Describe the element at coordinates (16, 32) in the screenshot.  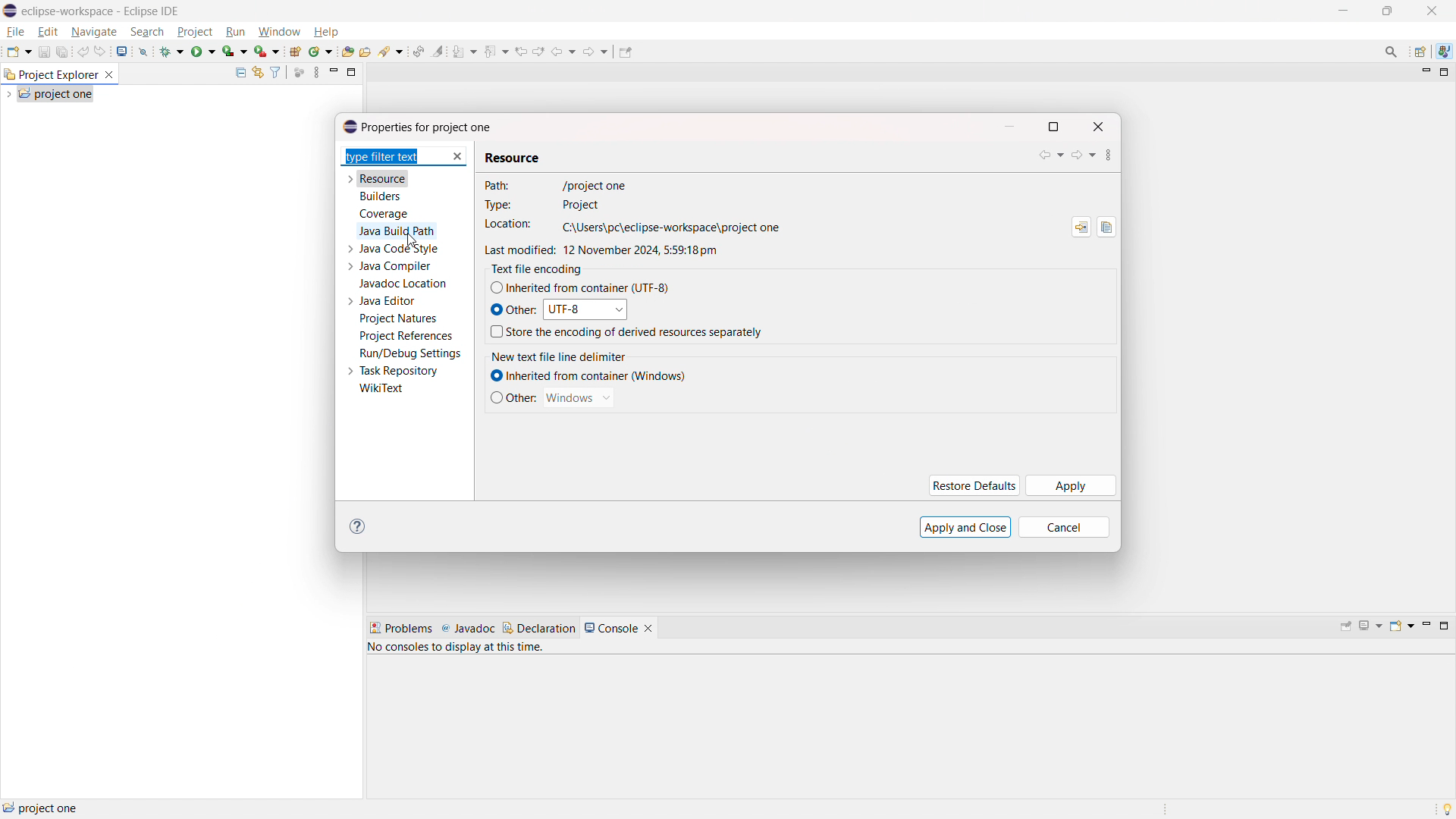
I see `file` at that location.